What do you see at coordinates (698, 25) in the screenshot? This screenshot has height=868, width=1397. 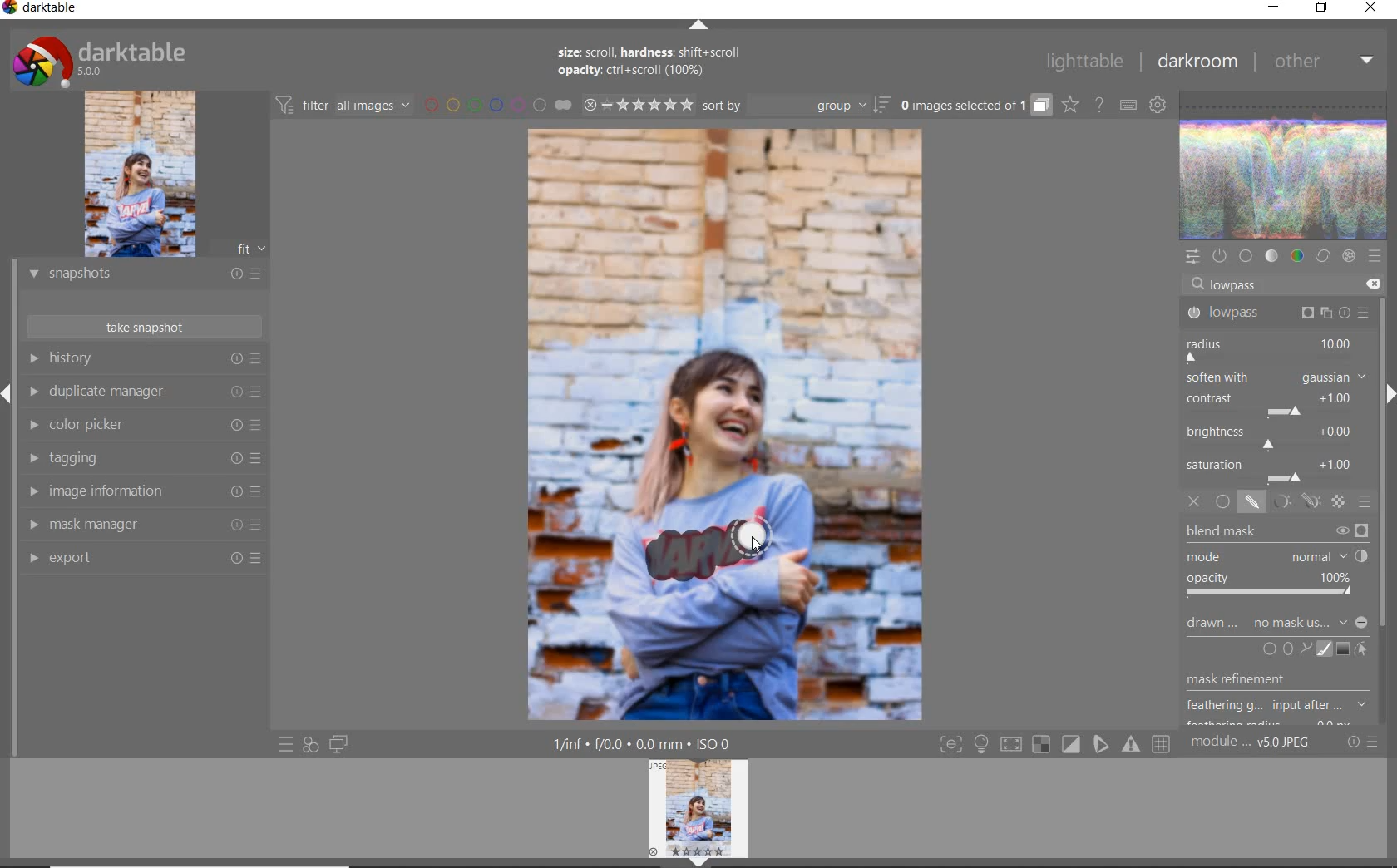 I see `expand/collapse` at bounding box center [698, 25].